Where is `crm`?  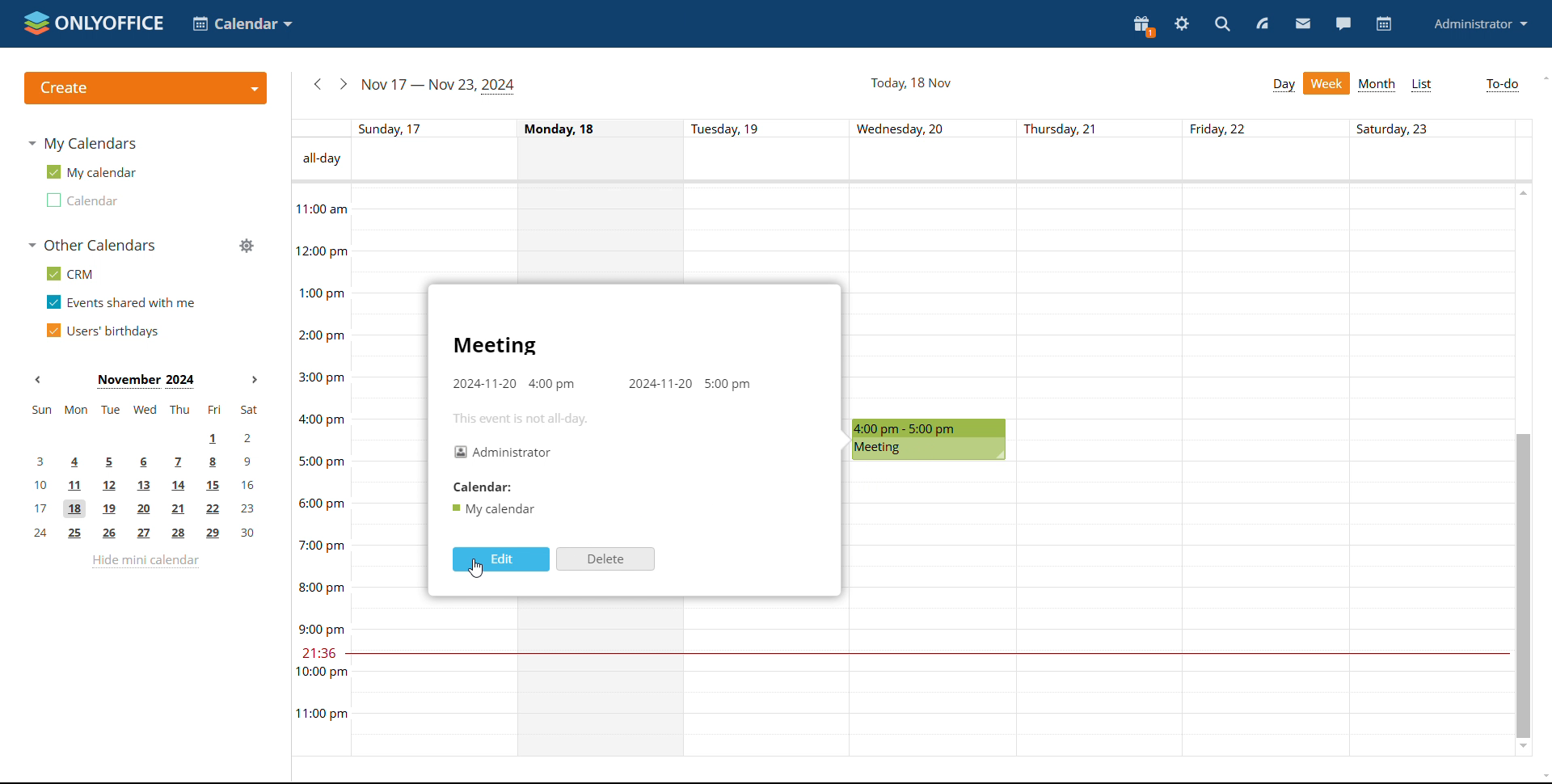 crm is located at coordinates (67, 273).